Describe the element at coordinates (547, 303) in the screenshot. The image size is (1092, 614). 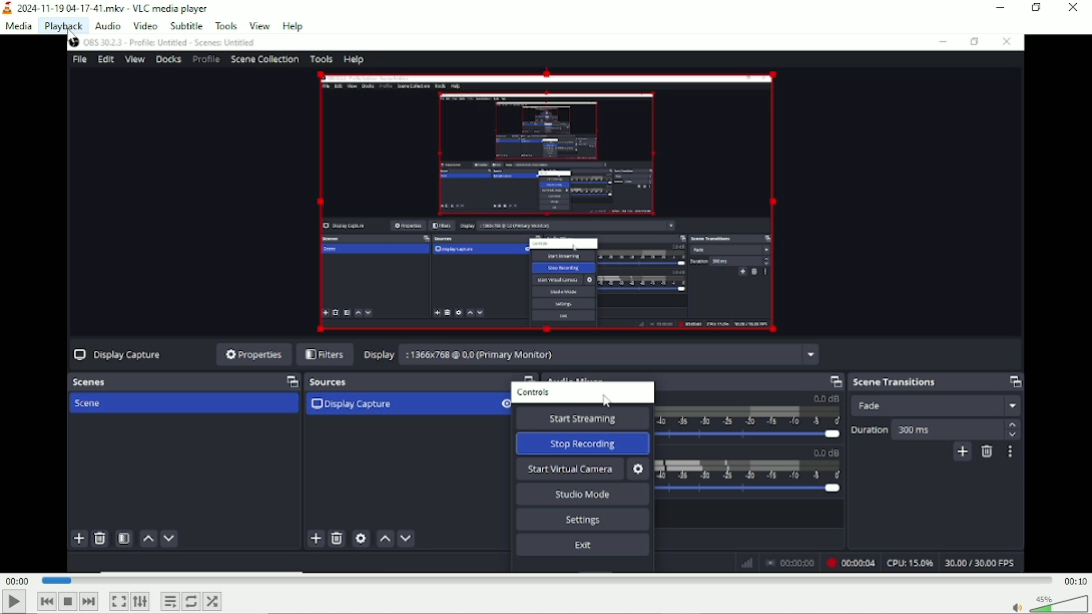
I see `Video` at that location.